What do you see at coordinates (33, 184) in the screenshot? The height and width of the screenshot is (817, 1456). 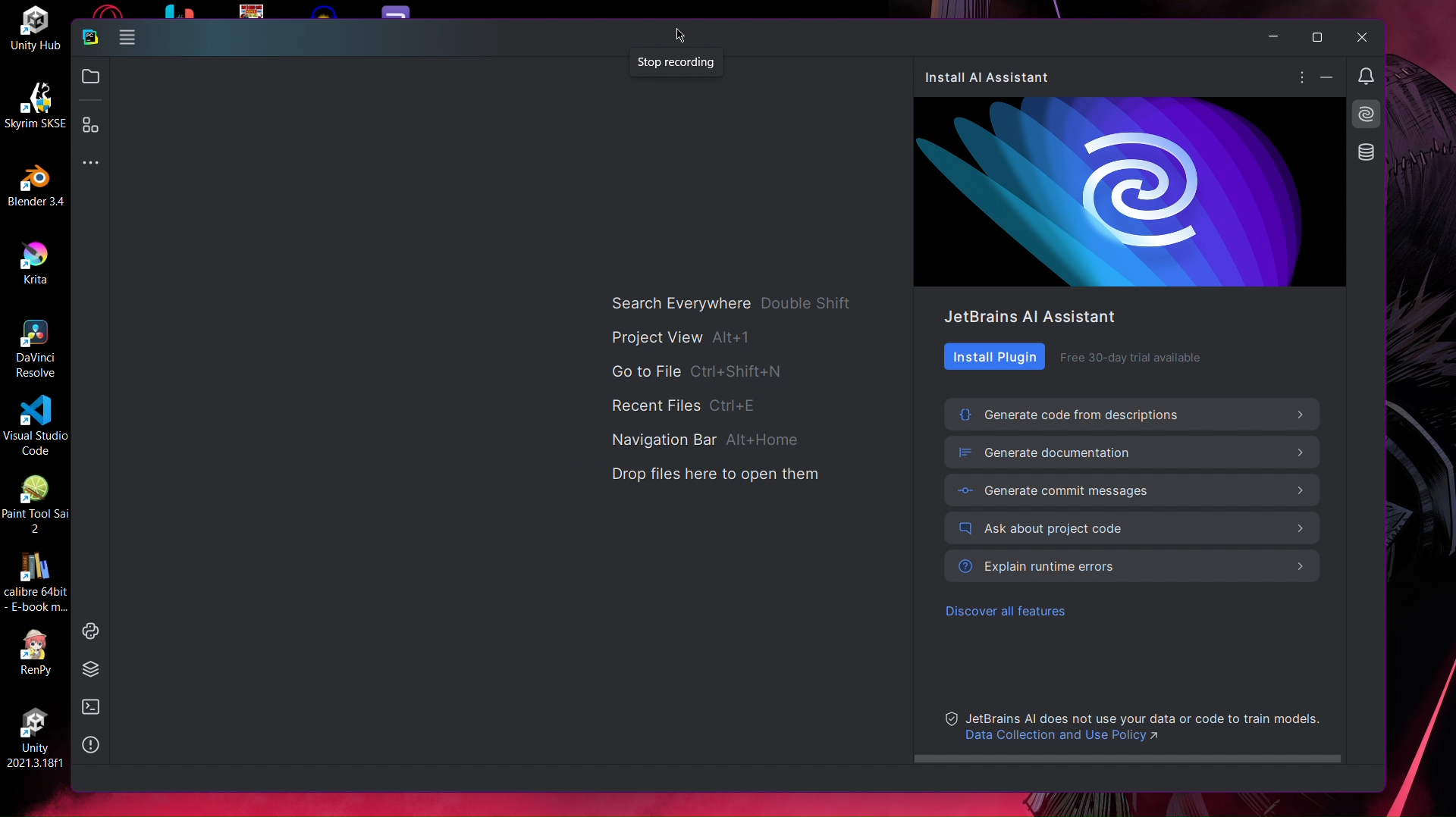 I see `Blender 3.4` at bounding box center [33, 184].